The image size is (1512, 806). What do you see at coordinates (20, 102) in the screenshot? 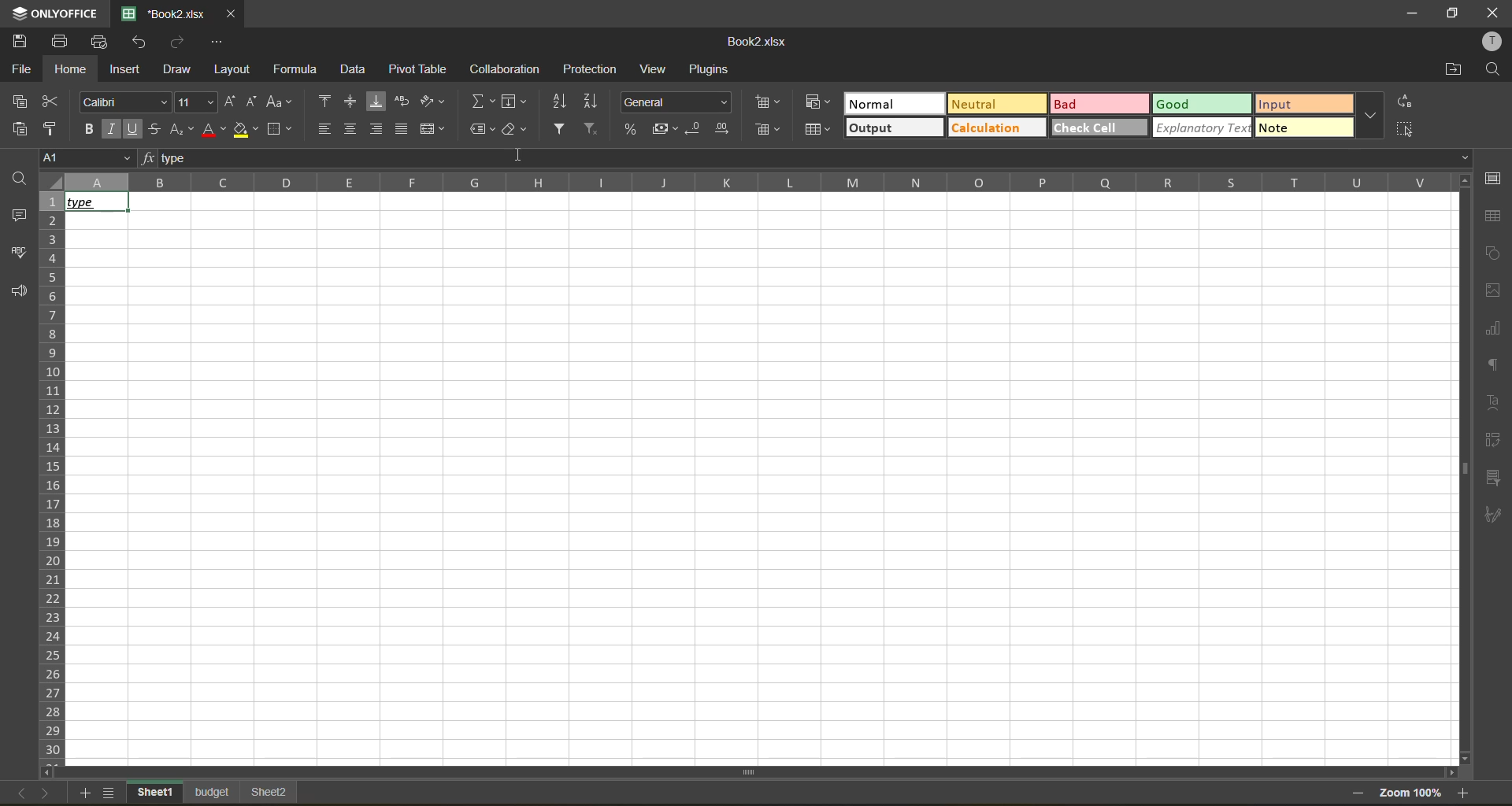
I see `copy` at bounding box center [20, 102].